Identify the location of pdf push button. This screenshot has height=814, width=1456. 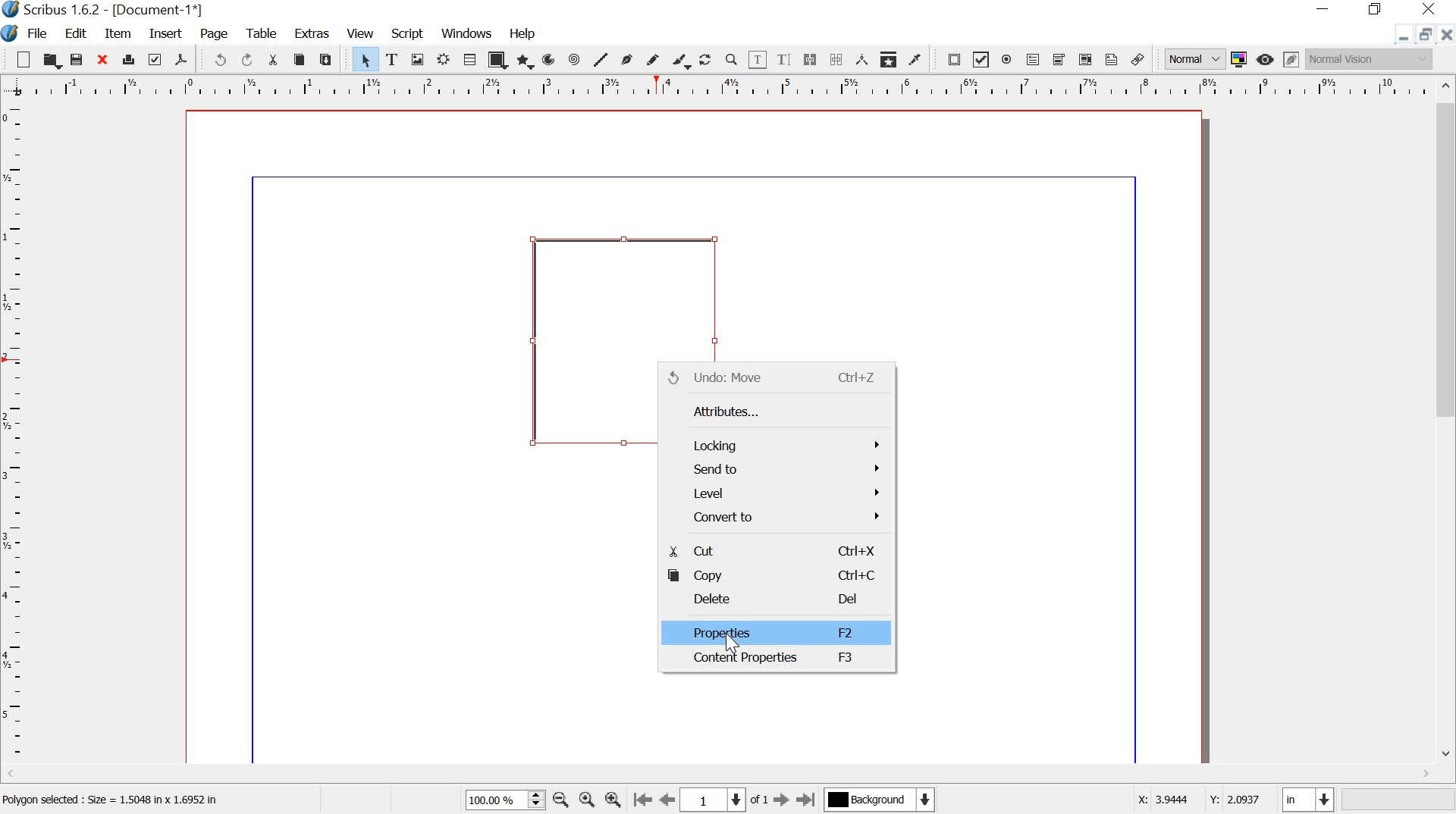
(949, 61).